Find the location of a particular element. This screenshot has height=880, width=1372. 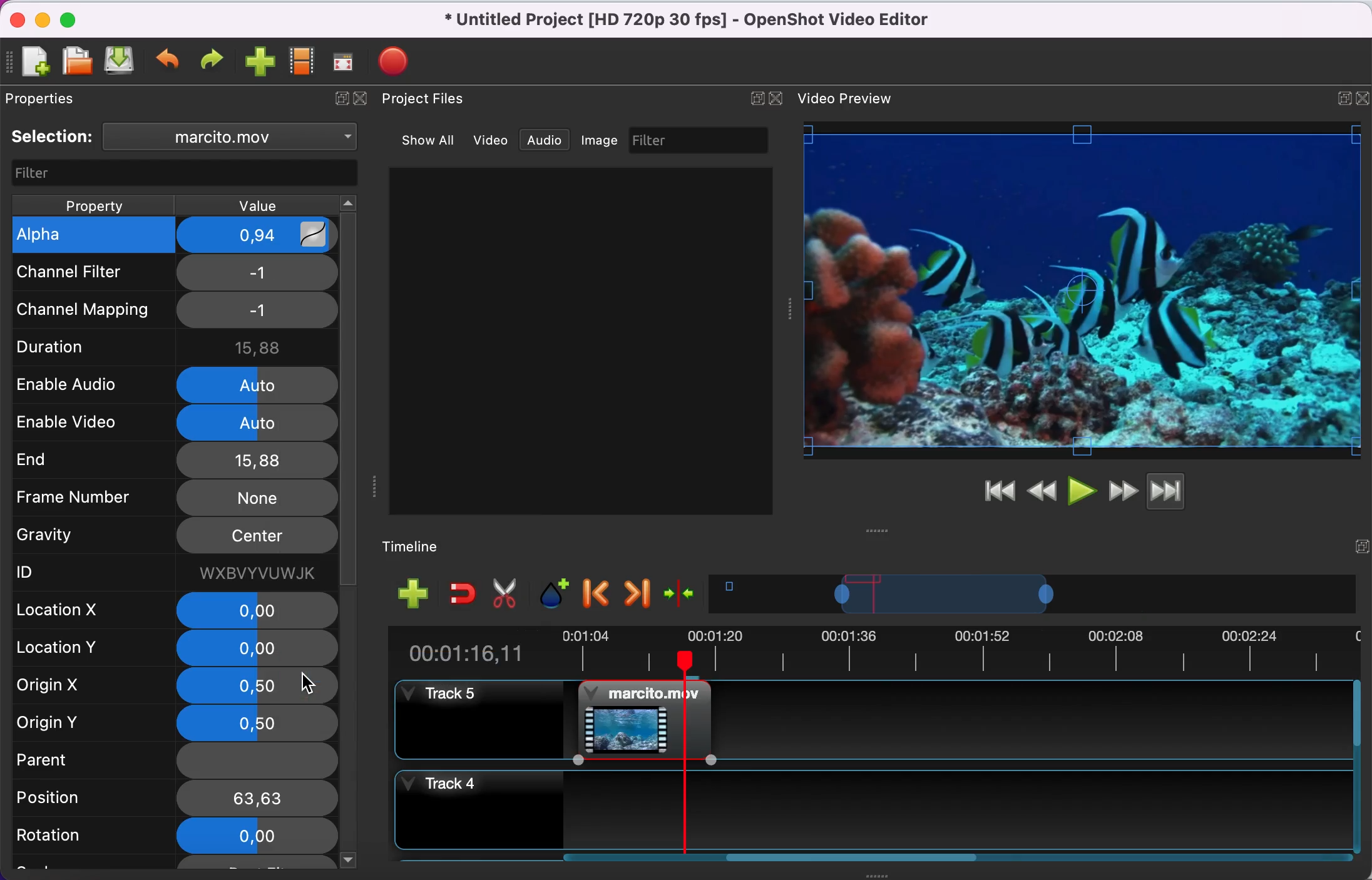

next marker is located at coordinates (637, 594).